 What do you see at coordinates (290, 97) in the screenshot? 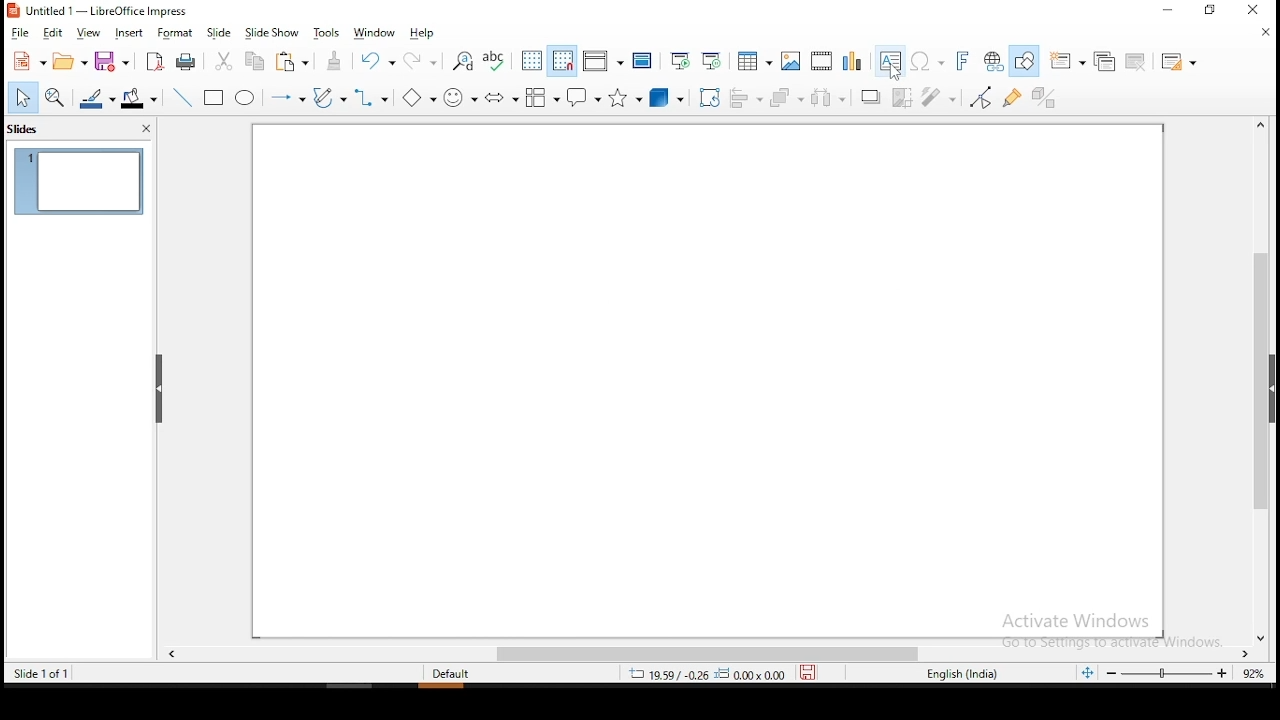
I see `lines and arrows` at bounding box center [290, 97].